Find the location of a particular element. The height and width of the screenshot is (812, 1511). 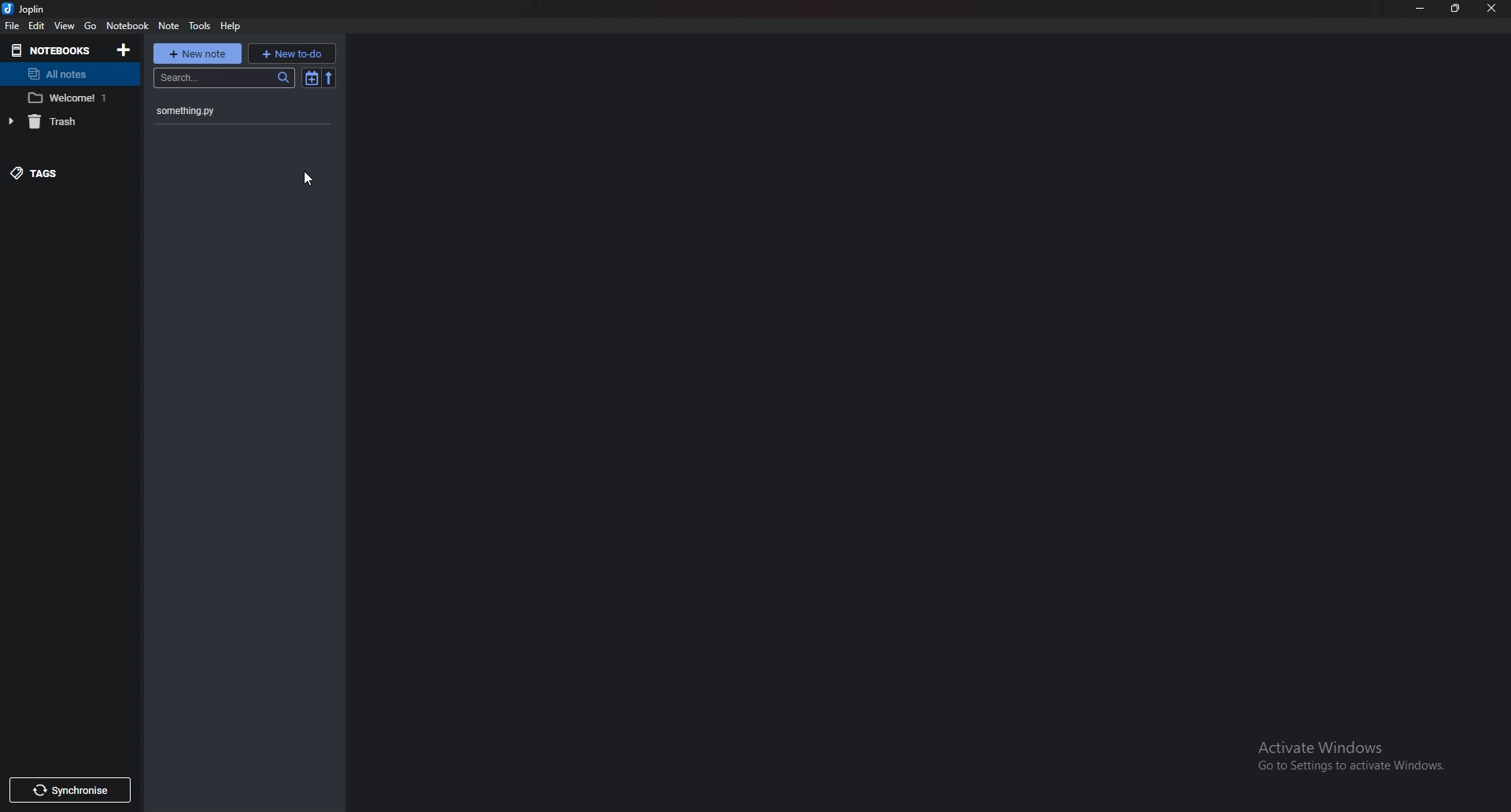

New note is located at coordinates (198, 54).